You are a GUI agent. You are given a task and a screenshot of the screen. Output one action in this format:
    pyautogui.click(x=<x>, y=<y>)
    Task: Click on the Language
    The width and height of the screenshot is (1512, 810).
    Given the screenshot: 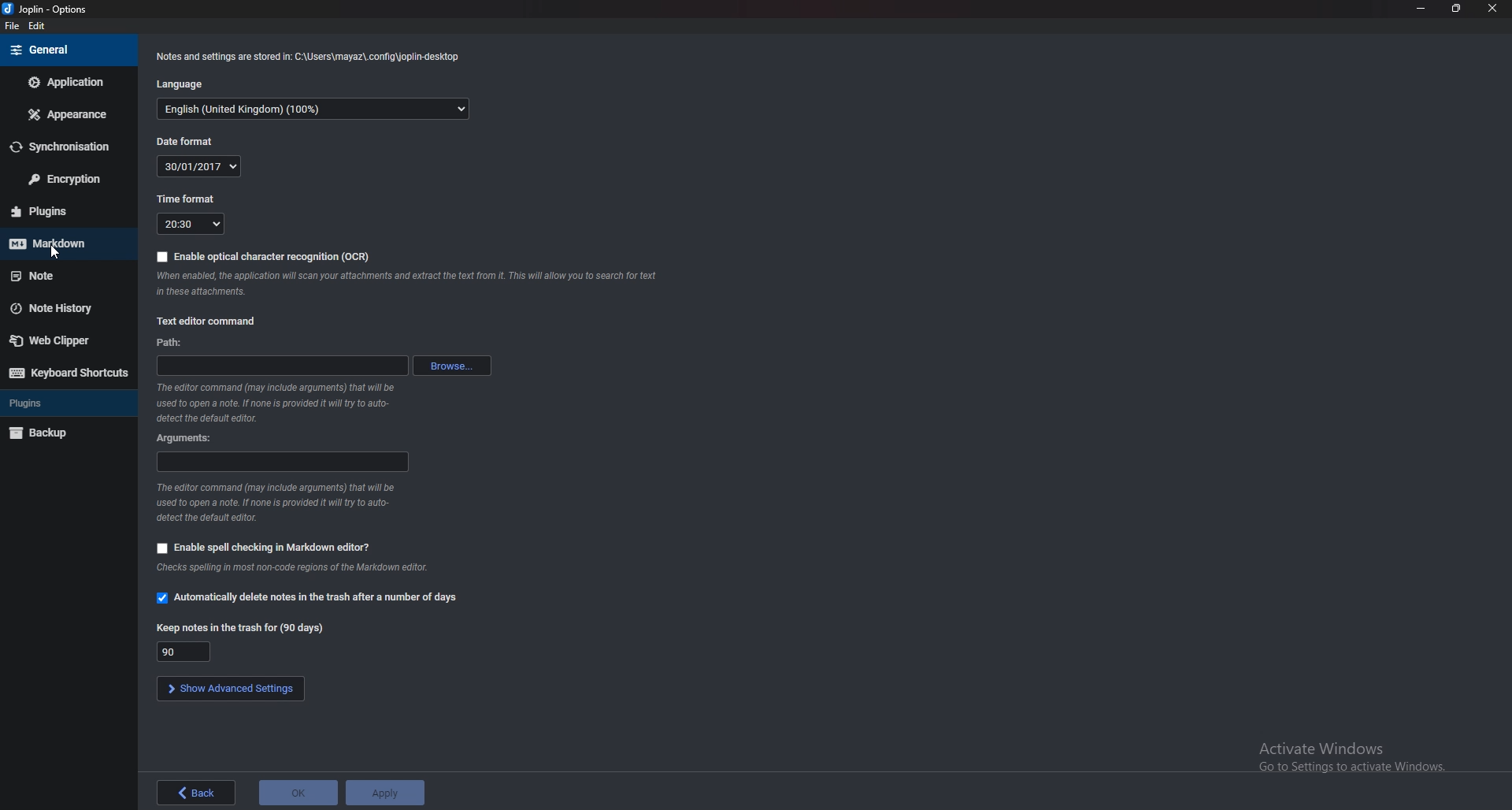 What is the action you would take?
    pyautogui.click(x=312, y=110)
    